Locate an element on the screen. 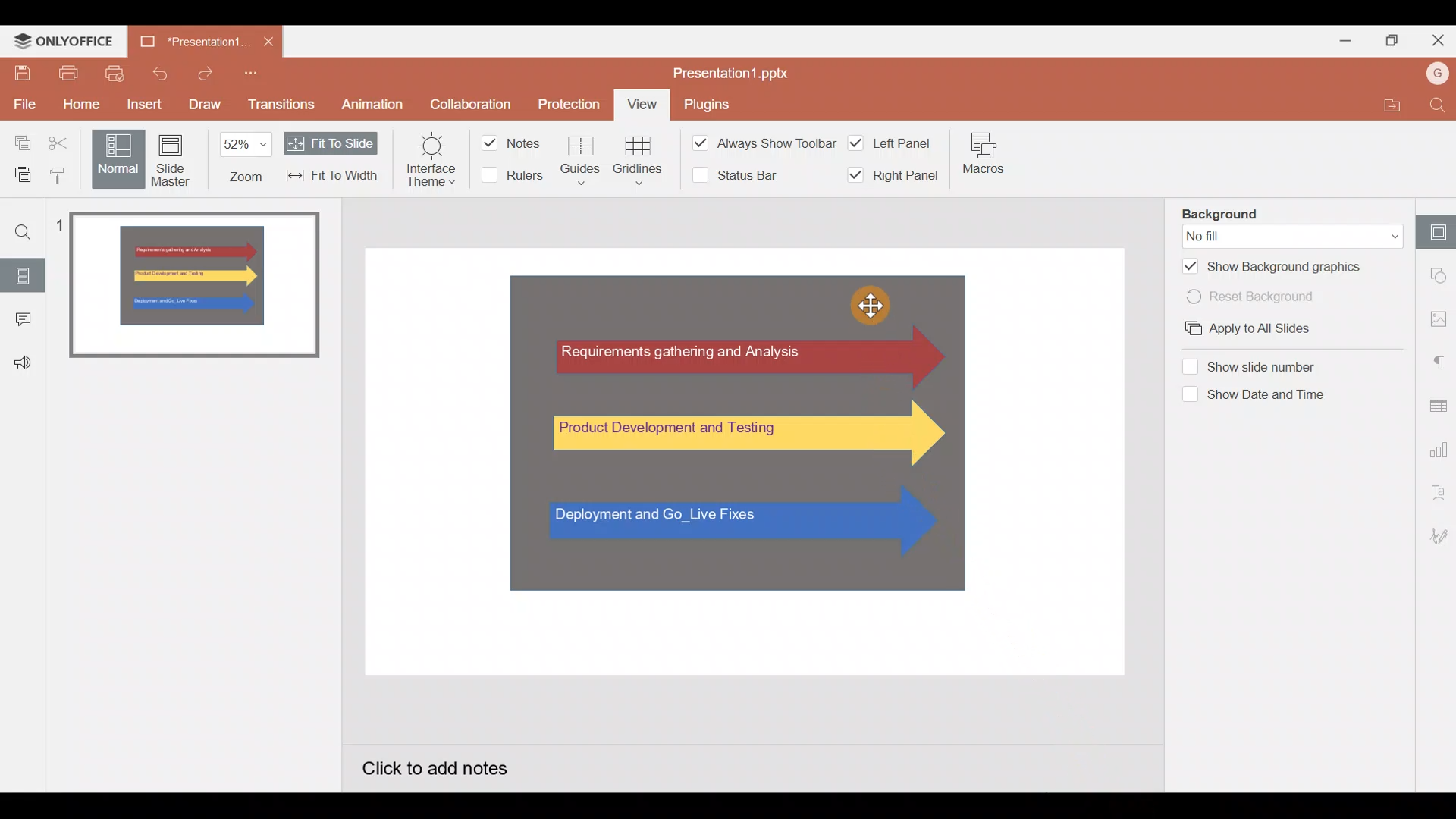  Protection is located at coordinates (569, 104).